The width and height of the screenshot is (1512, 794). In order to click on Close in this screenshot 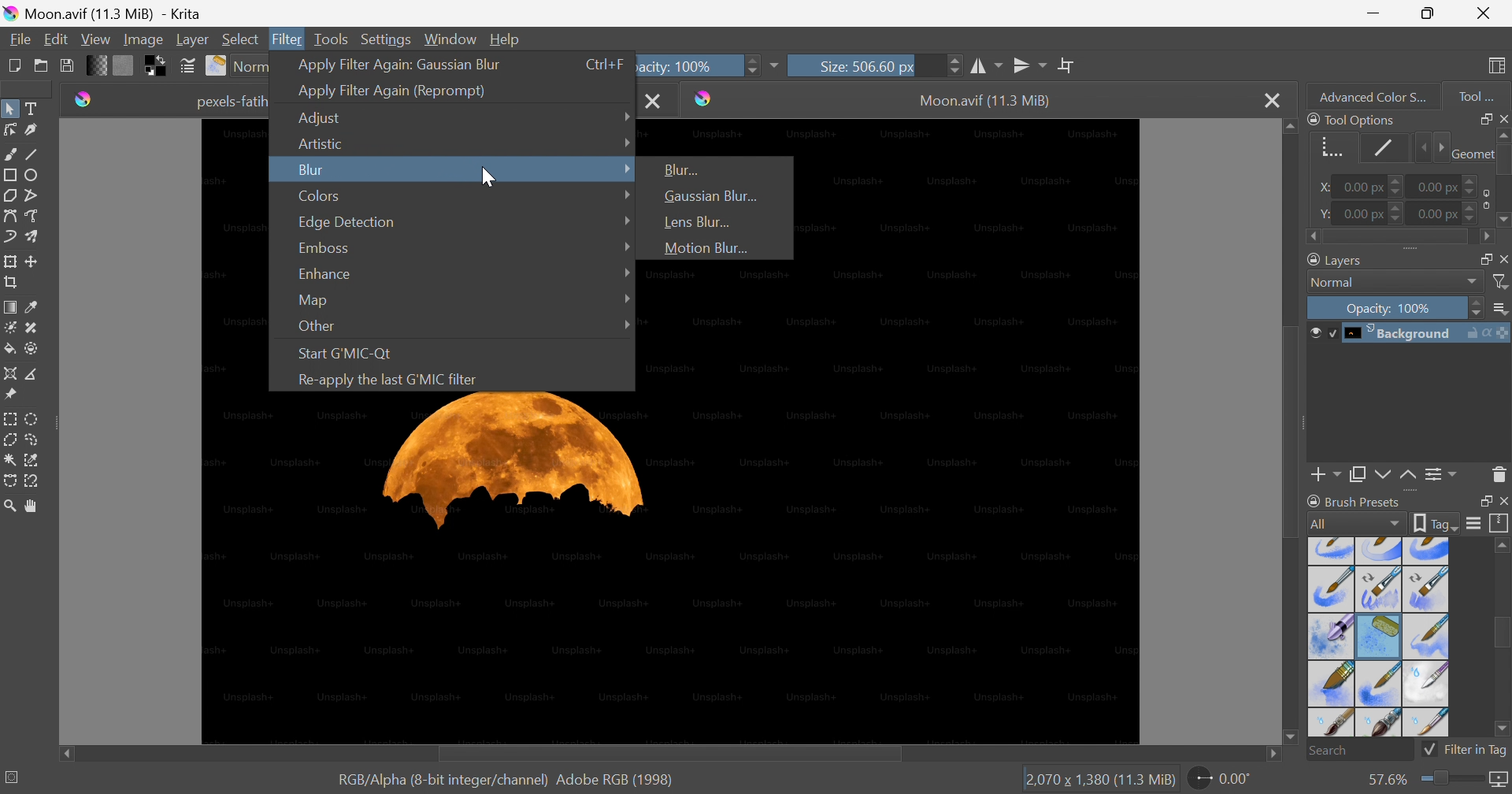, I will do `click(1271, 98)`.